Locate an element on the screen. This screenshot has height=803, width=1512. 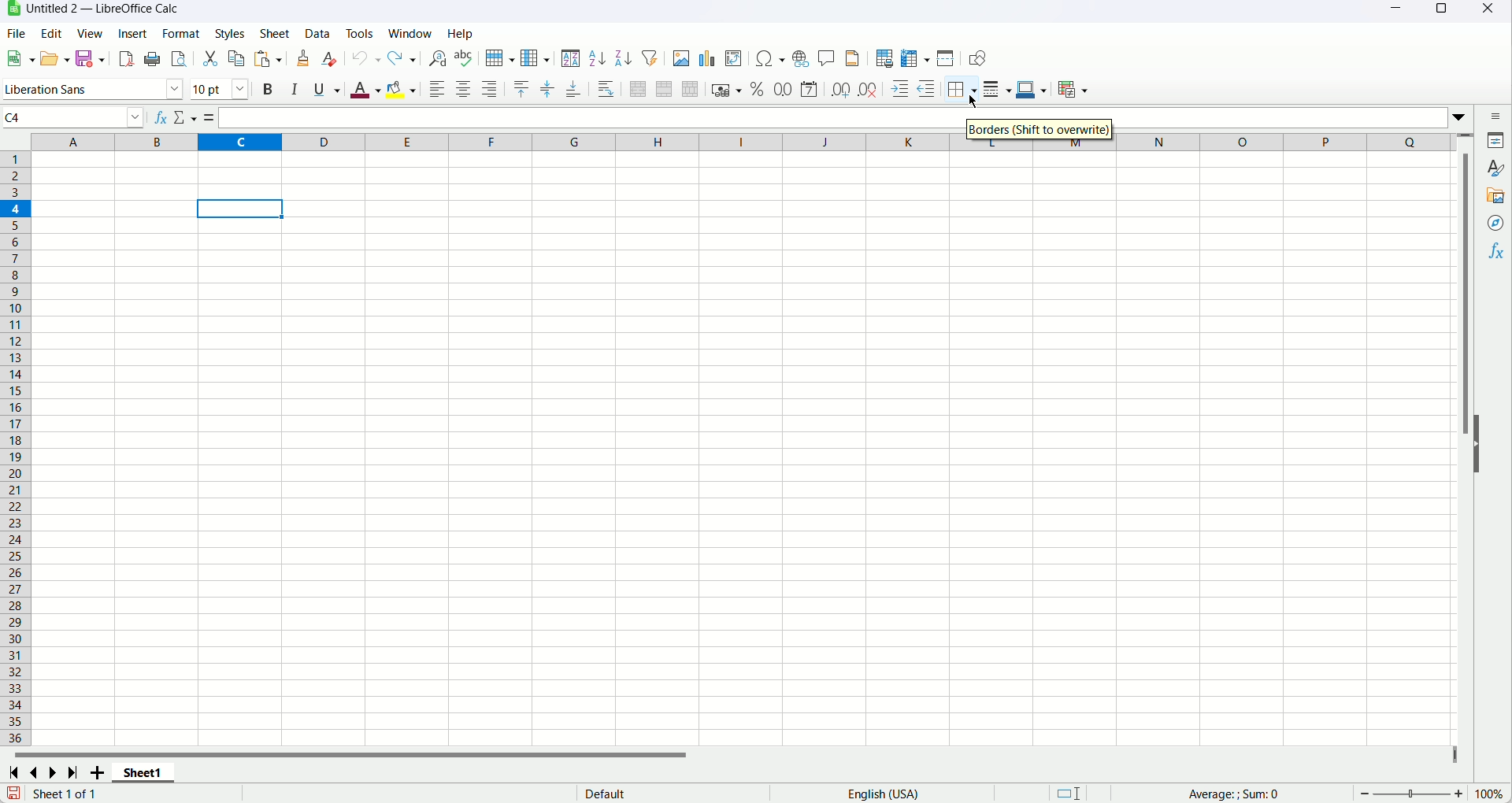
Bold is located at coordinates (266, 91).